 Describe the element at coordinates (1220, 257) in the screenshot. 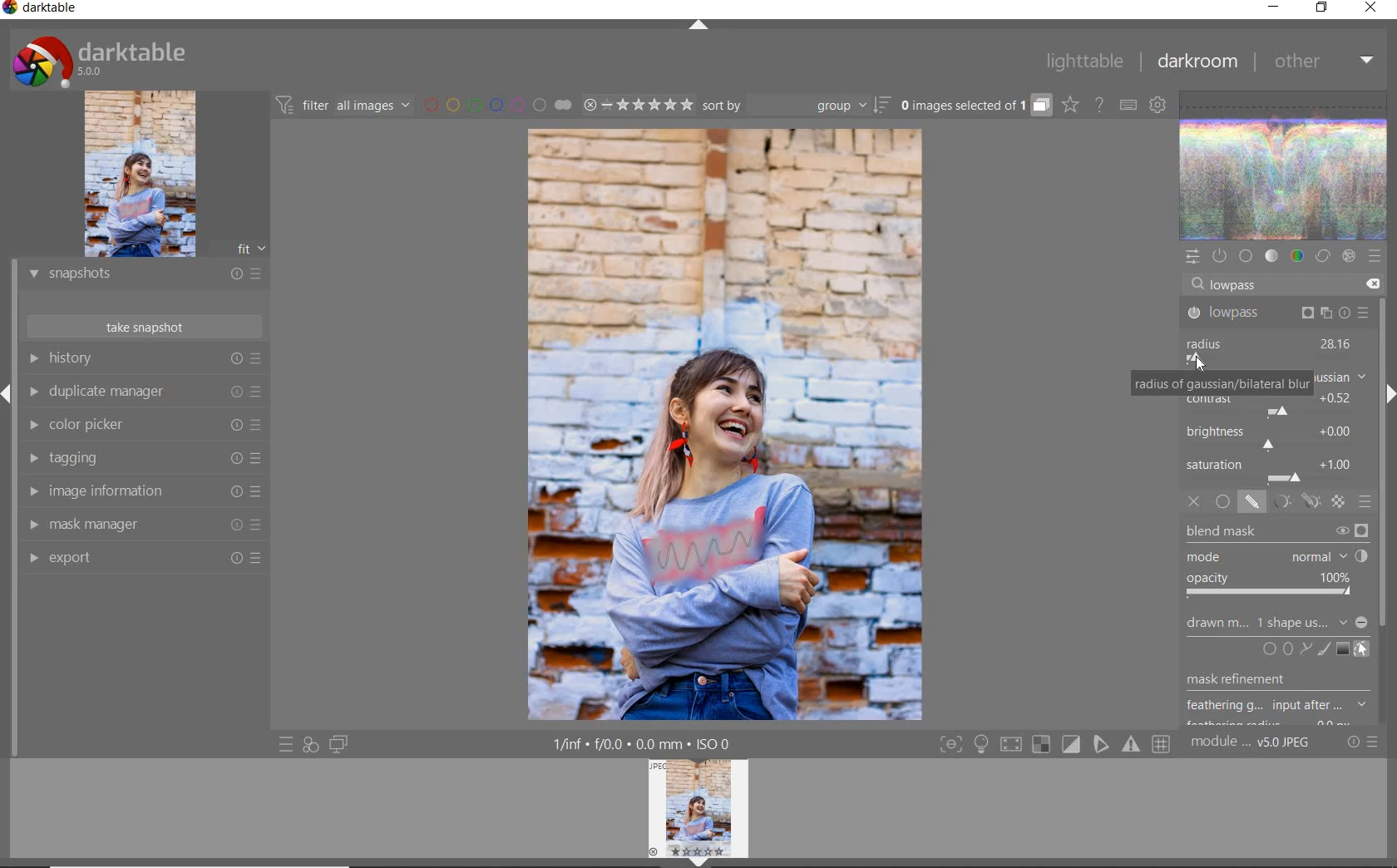

I see `show only active modules` at that location.